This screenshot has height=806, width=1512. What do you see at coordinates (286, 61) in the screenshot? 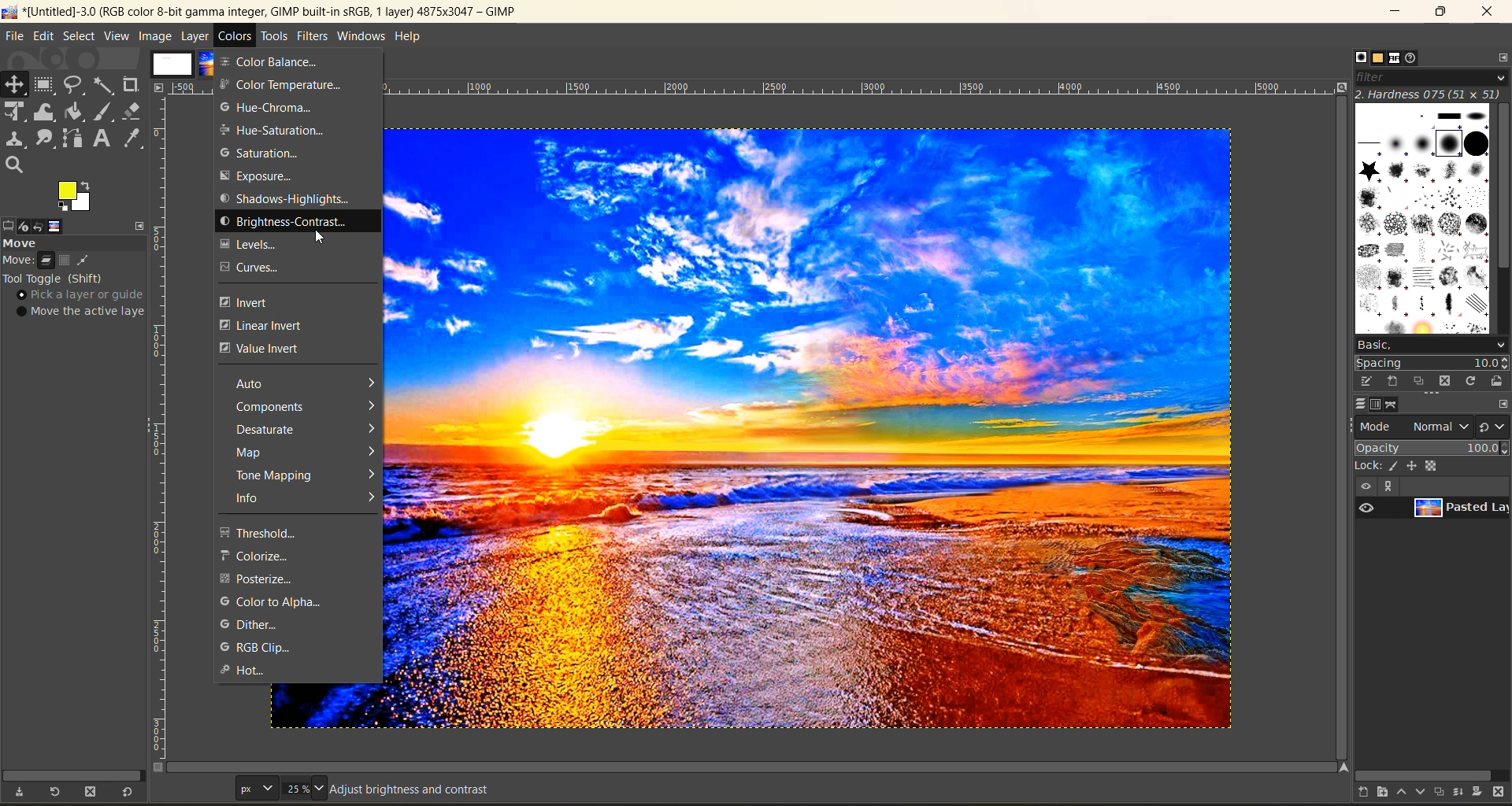
I see `color balance` at bounding box center [286, 61].